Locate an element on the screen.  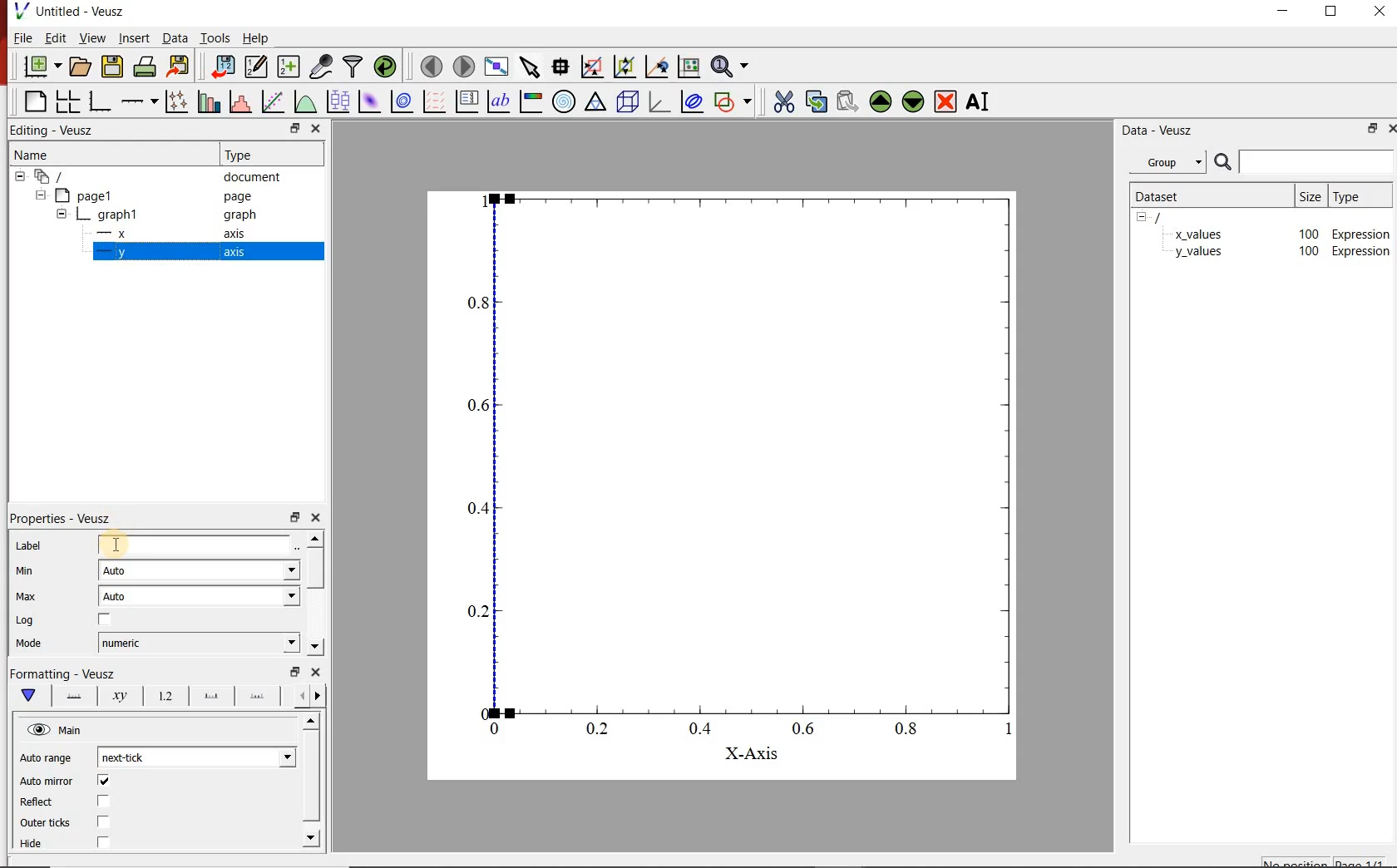
Outer ticks is located at coordinates (46, 823).